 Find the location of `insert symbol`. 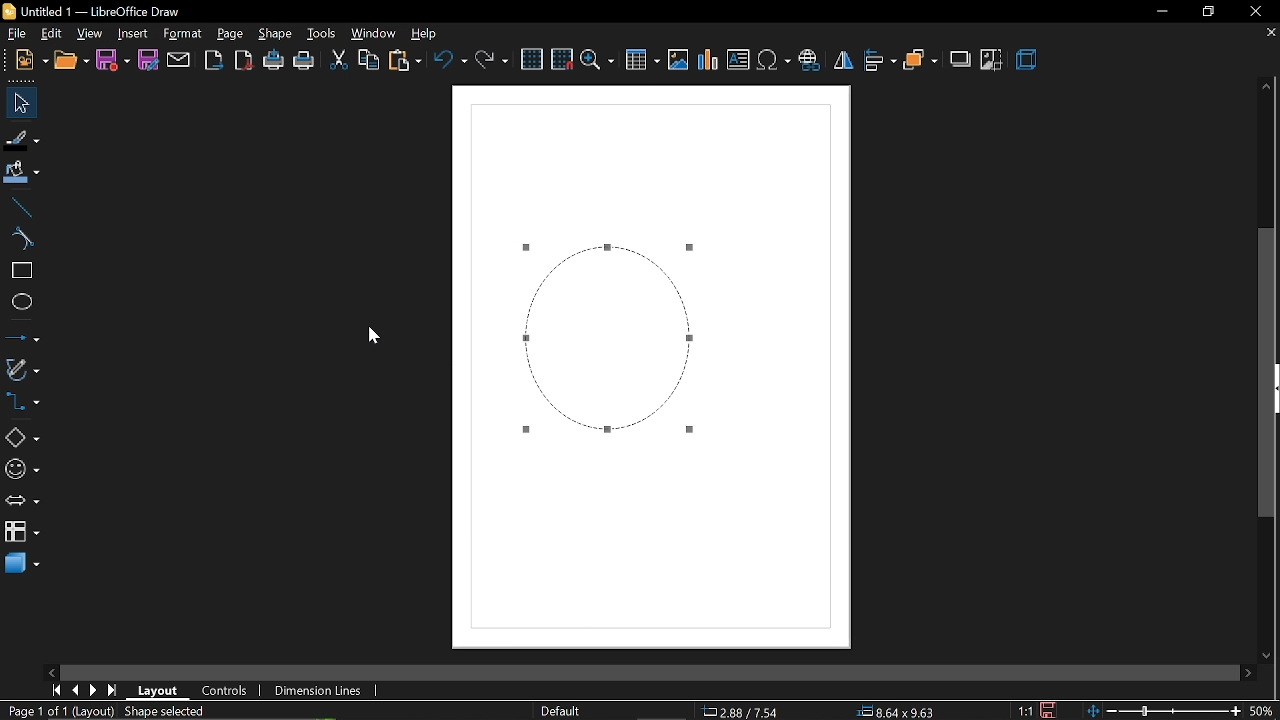

insert symbol is located at coordinates (773, 60).